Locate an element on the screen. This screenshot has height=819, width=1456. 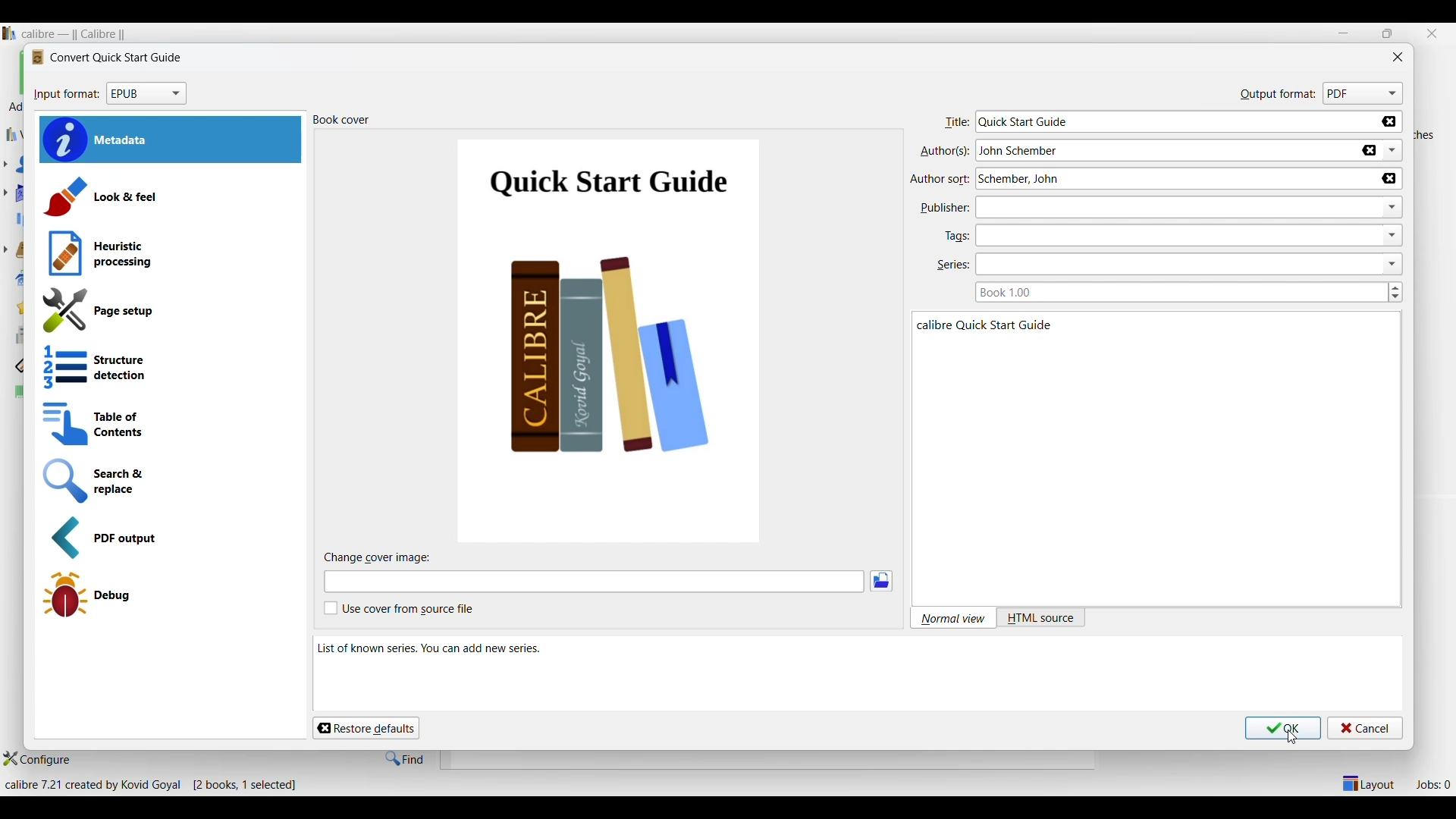
Type in book series is located at coordinates (1176, 292).